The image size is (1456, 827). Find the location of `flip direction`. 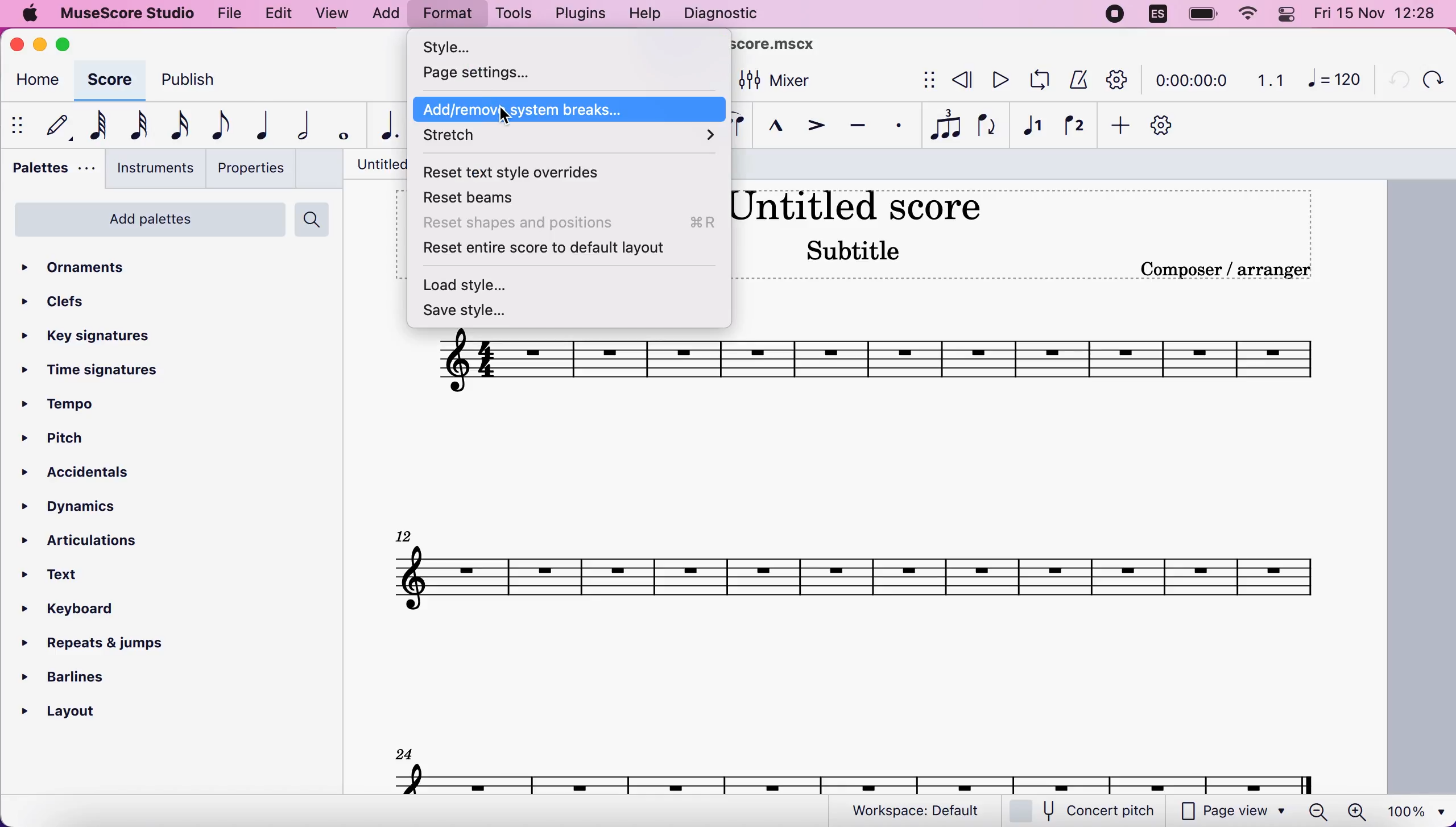

flip direction is located at coordinates (988, 126).